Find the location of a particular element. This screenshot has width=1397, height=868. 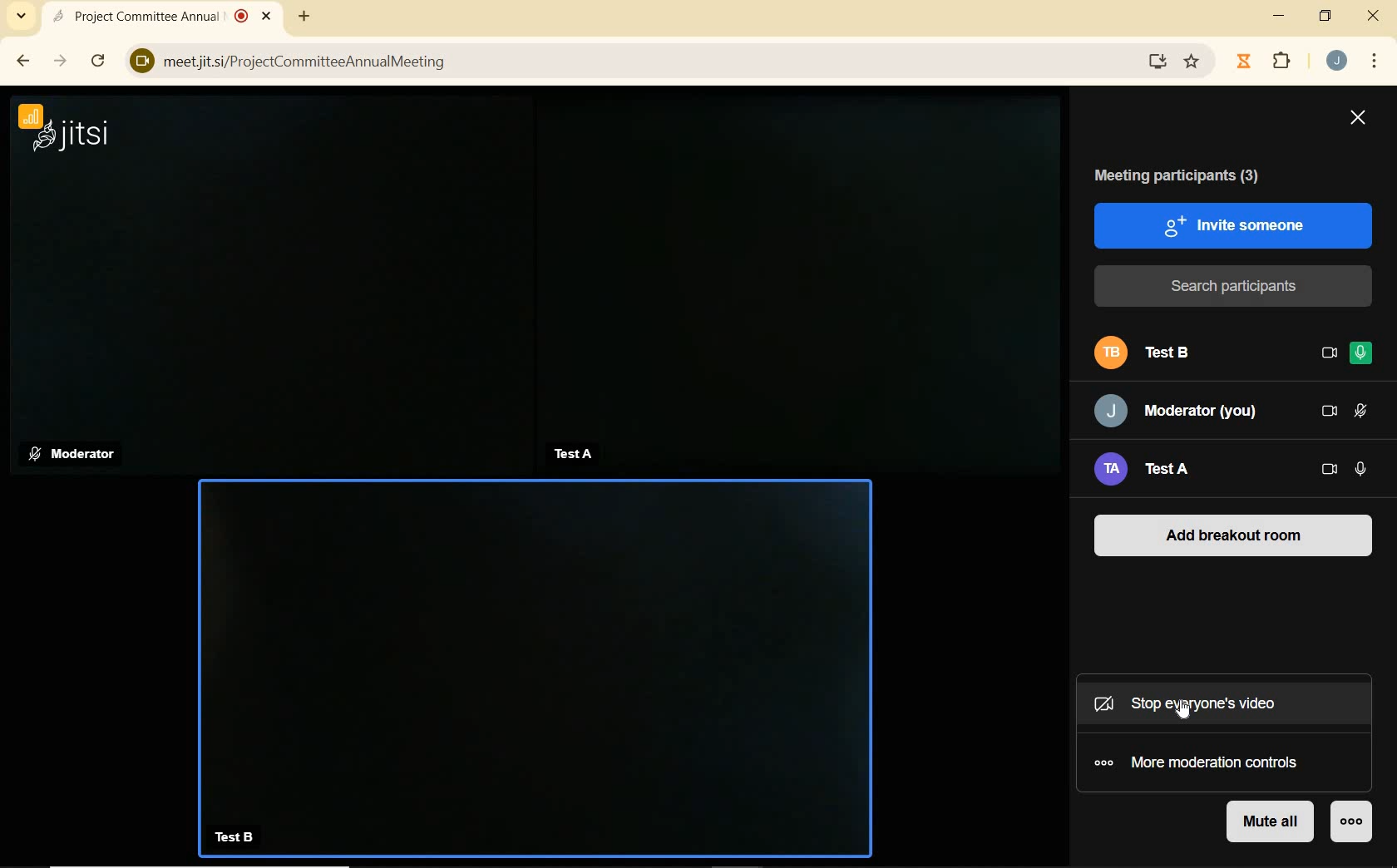

CONNECTION STATUS is located at coordinates (31, 121).